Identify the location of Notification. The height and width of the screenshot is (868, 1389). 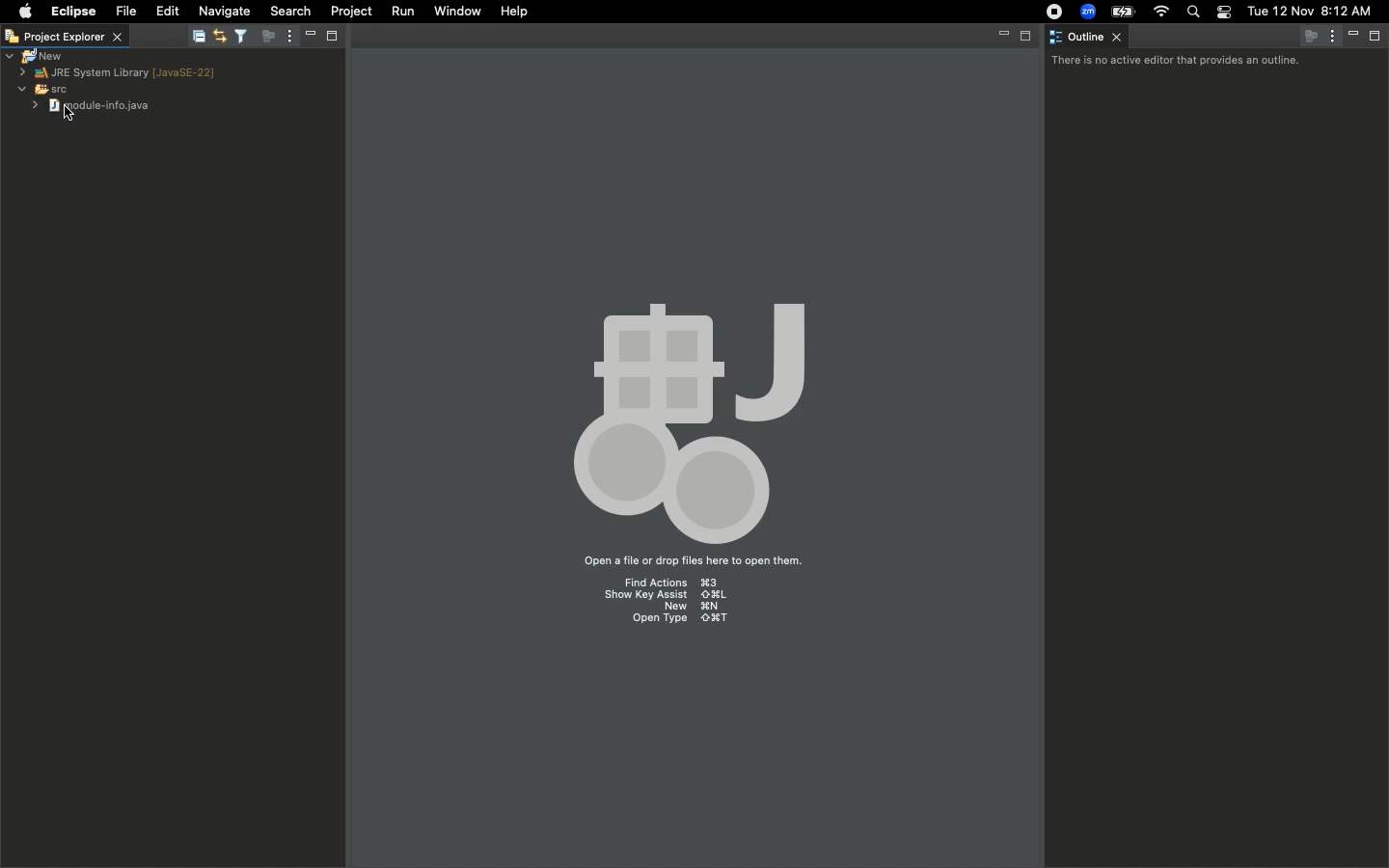
(1223, 13).